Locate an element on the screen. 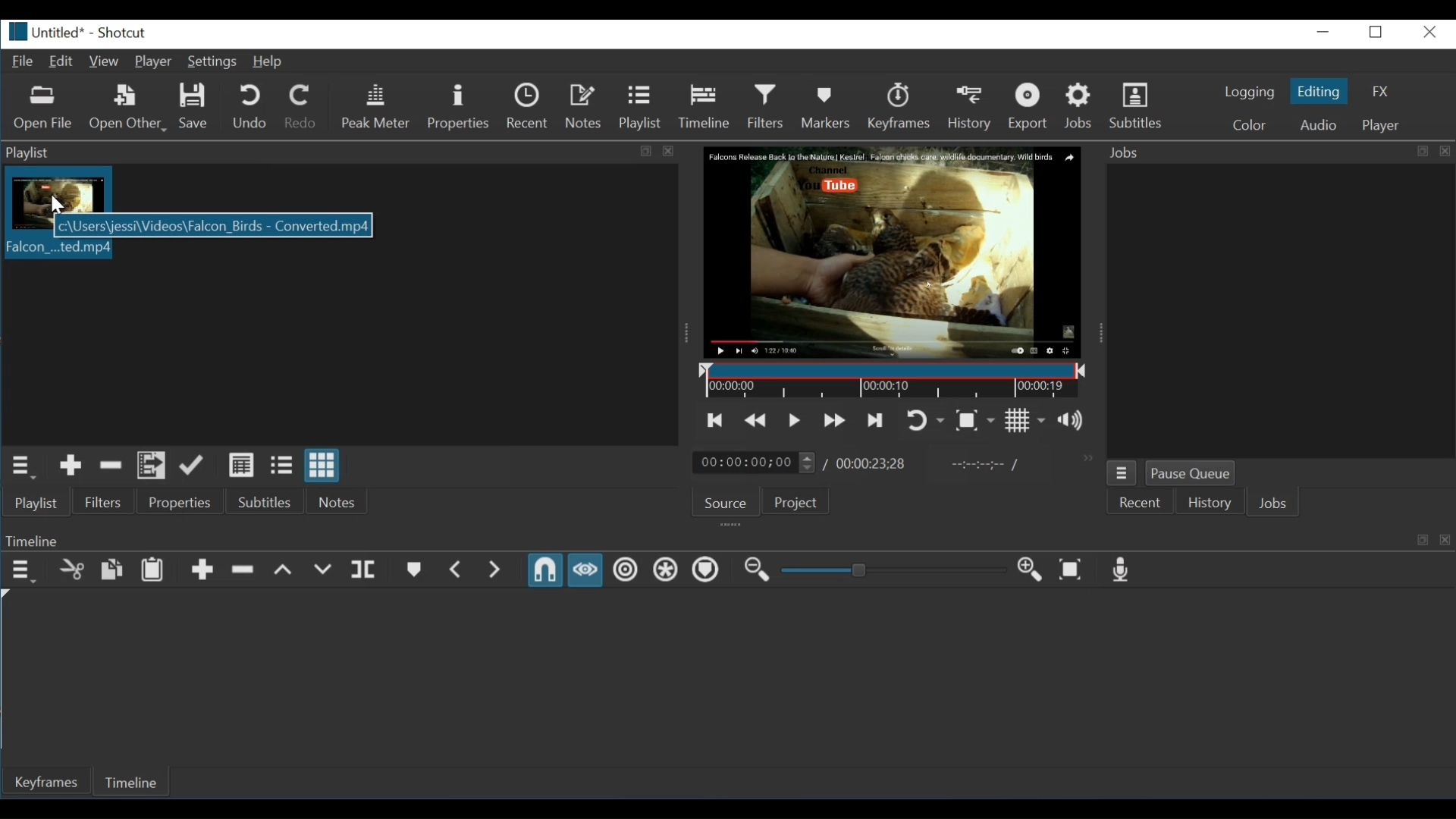  Create or edit marker is located at coordinates (413, 570).